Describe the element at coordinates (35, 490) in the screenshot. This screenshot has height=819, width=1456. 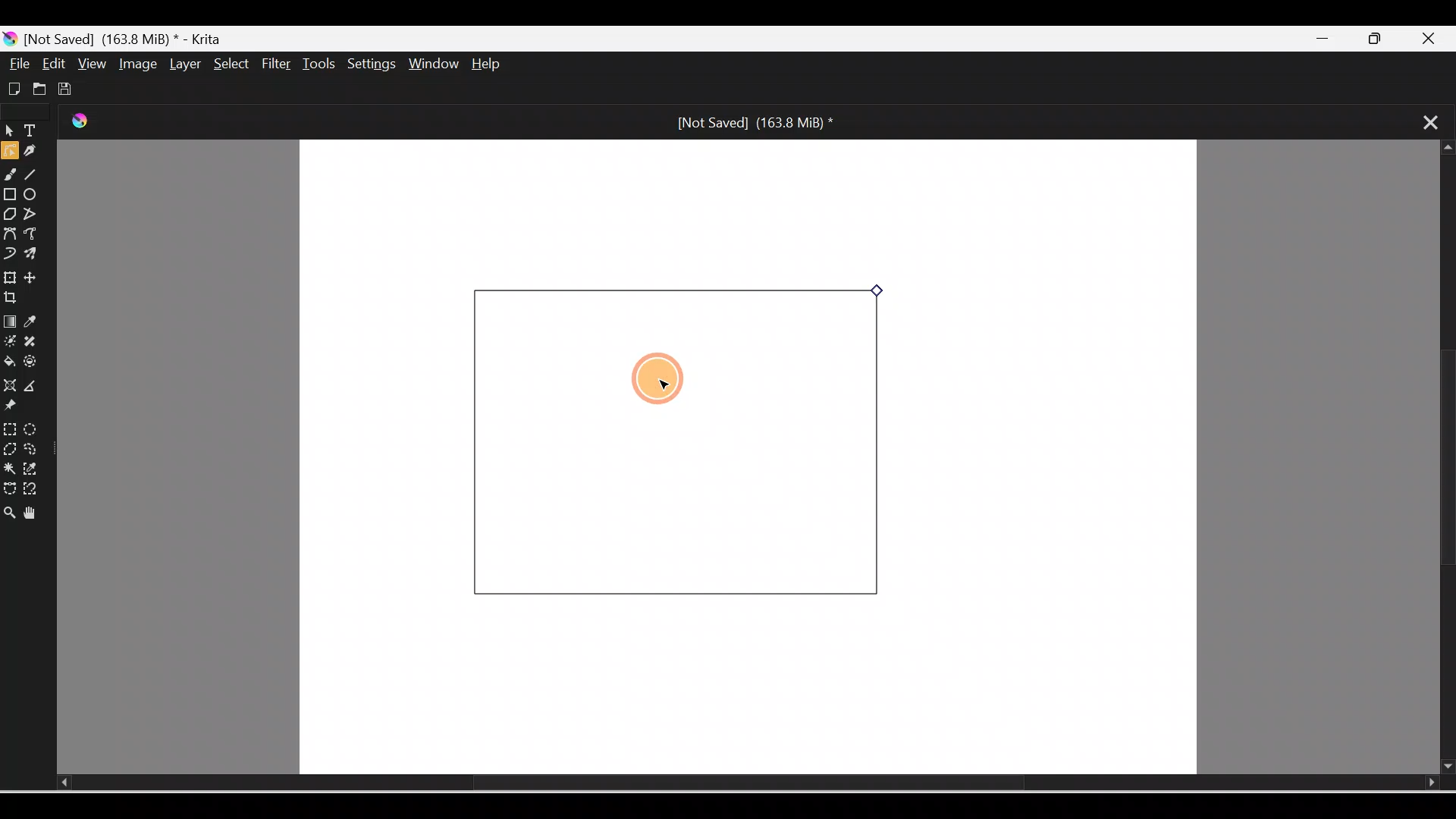
I see `Magnetic curve selection tool` at that location.